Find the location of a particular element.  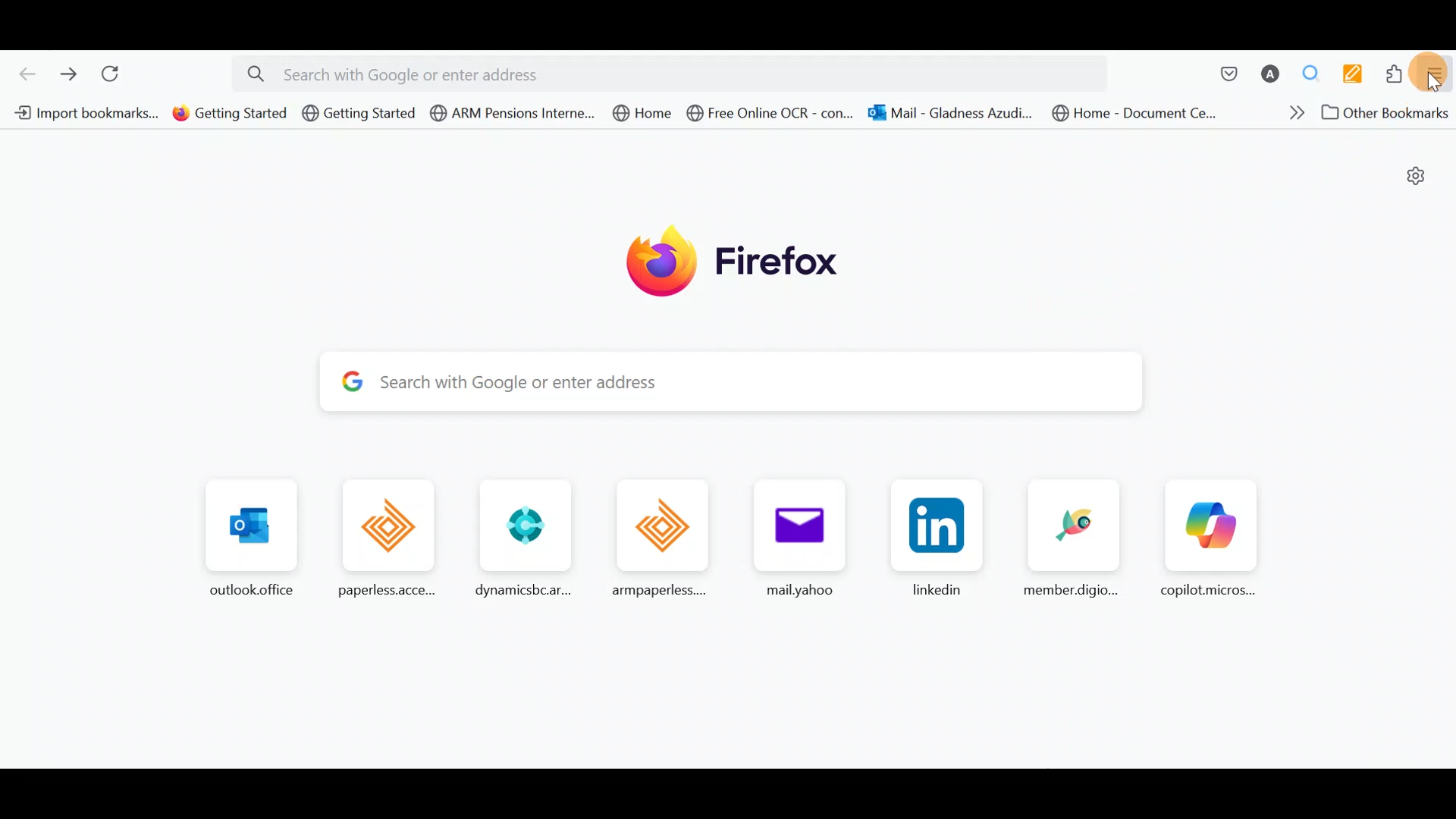

@ Getting Started is located at coordinates (359, 117).